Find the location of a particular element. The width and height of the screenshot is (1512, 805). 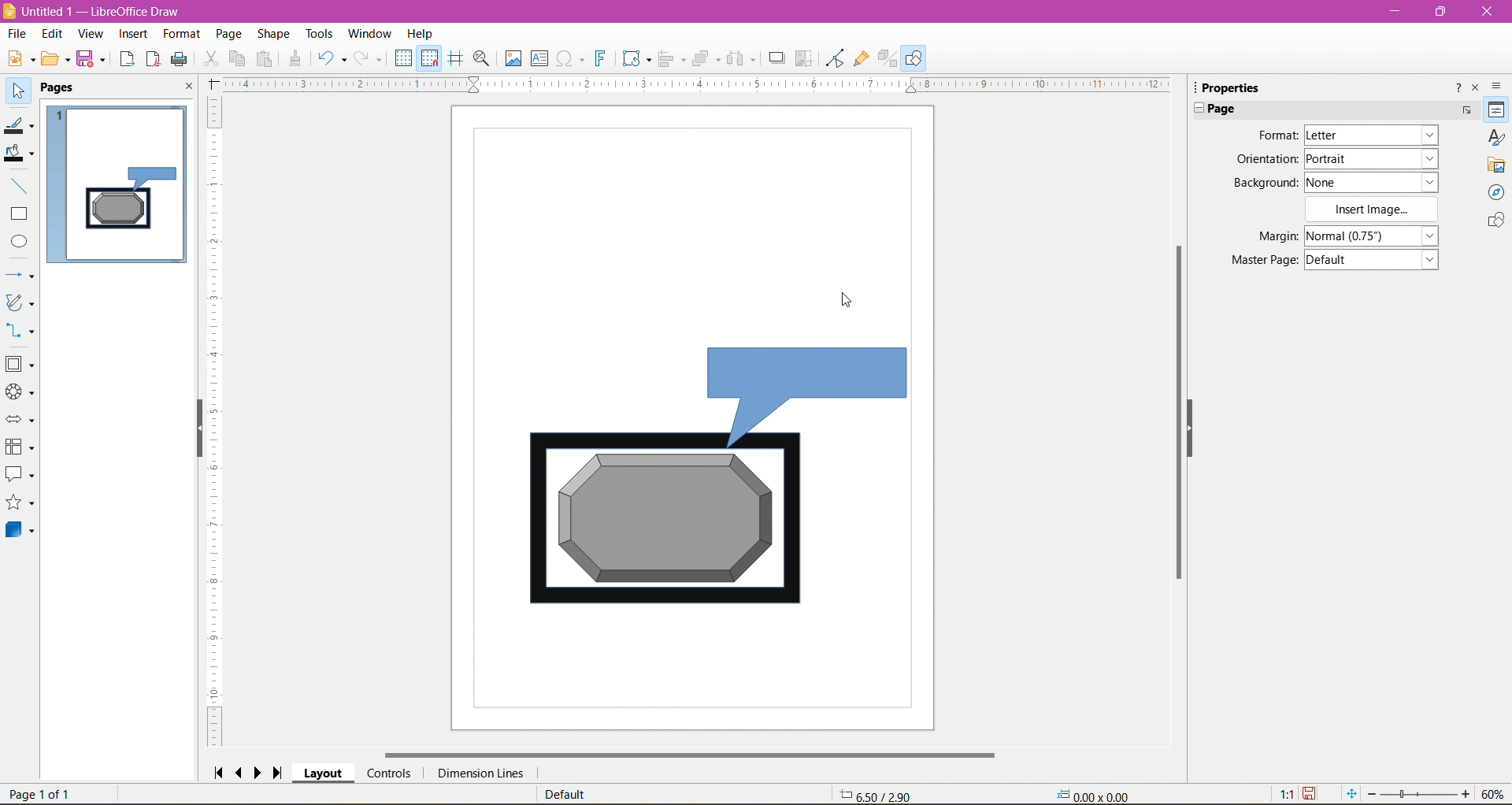

Margin is located at coordinates (1262, 236).